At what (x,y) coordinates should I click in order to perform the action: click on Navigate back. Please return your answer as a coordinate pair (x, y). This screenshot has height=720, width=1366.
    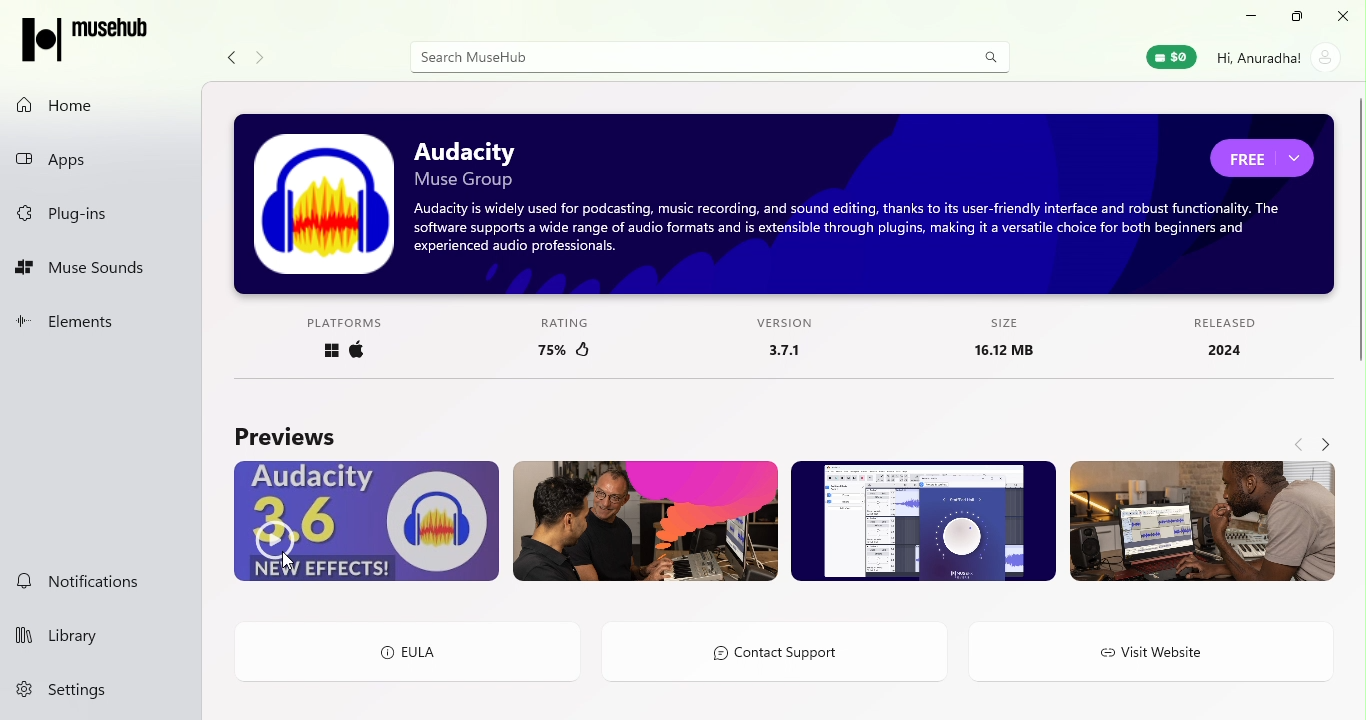
    Looking at the image, I should click on (233, 57).